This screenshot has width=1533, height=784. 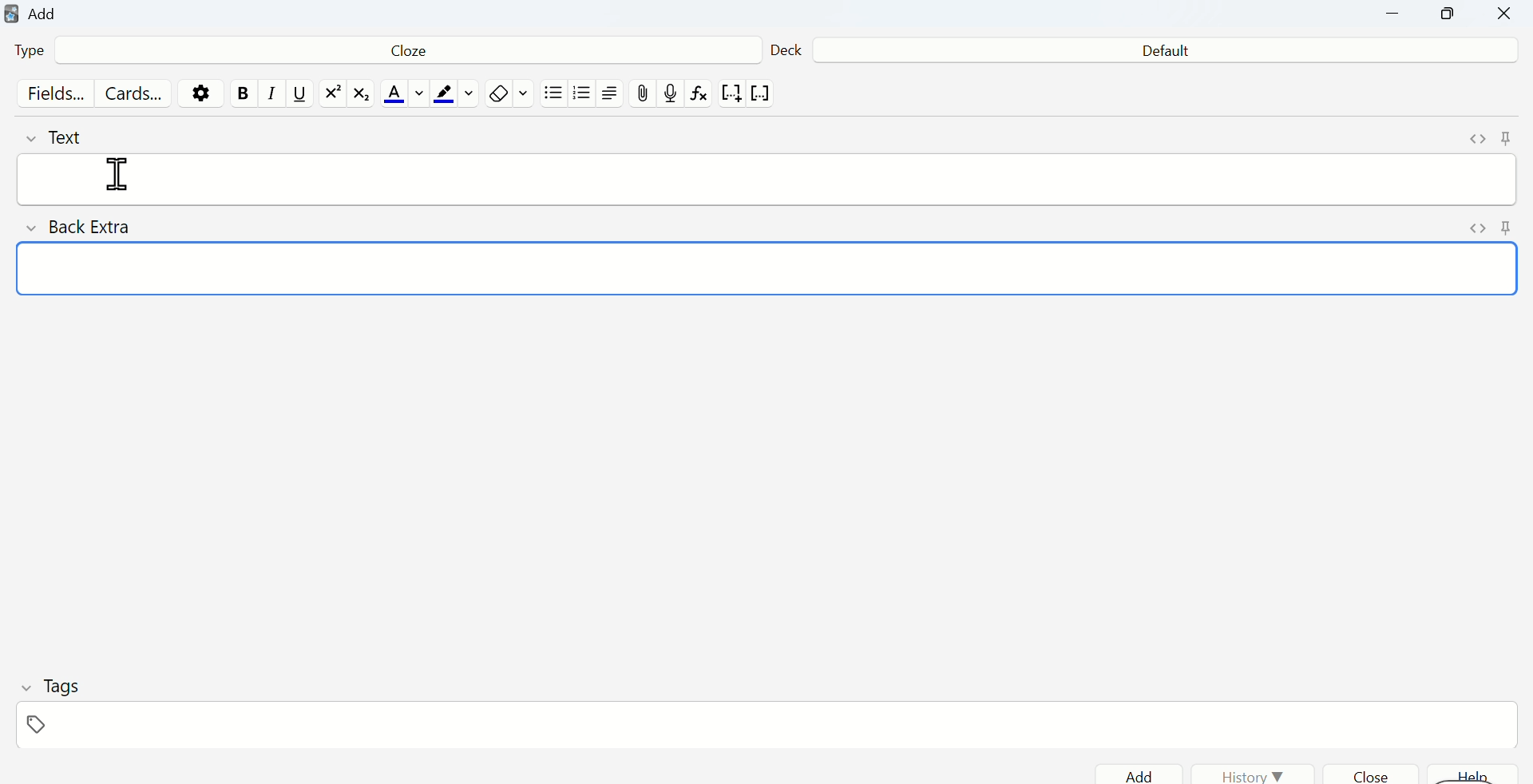 What do you see at coordinates (777, 270) in the screenshot?
I see `Input field` at bounding box center [777, 270].